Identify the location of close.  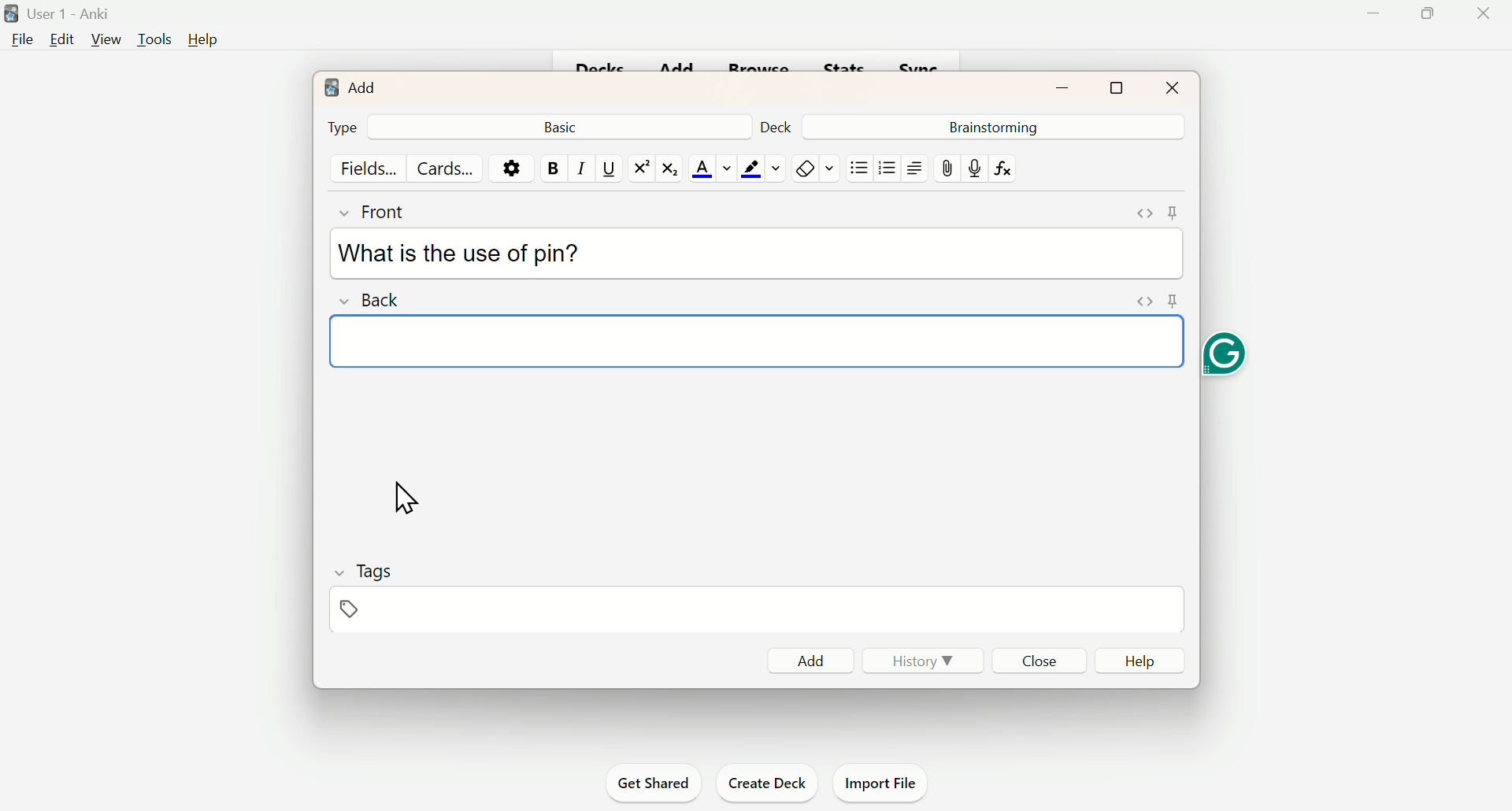
(1490, 20).